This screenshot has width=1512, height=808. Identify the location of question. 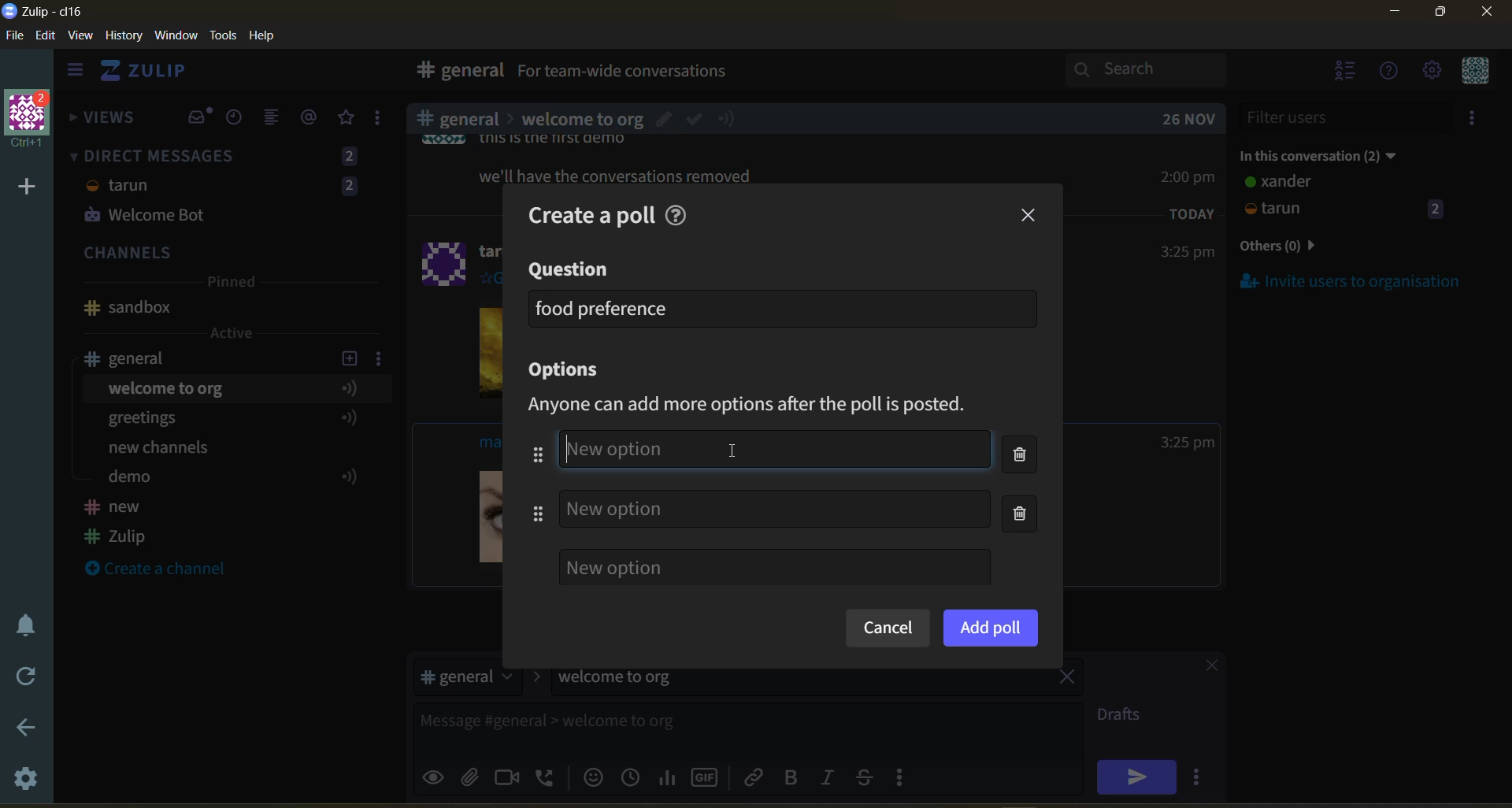
(571, 270).